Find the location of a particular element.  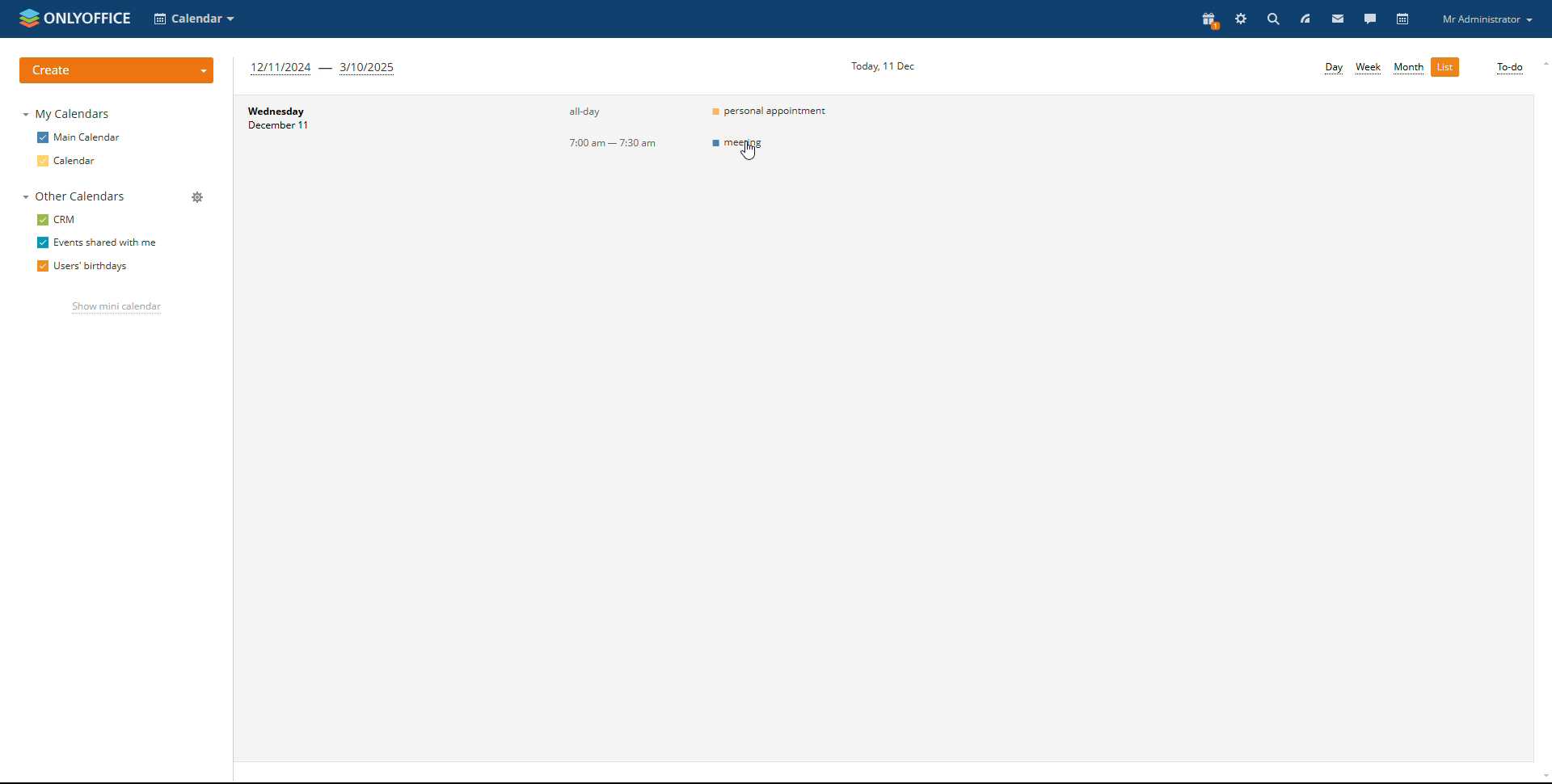

event is located at coordinates (772, 146).